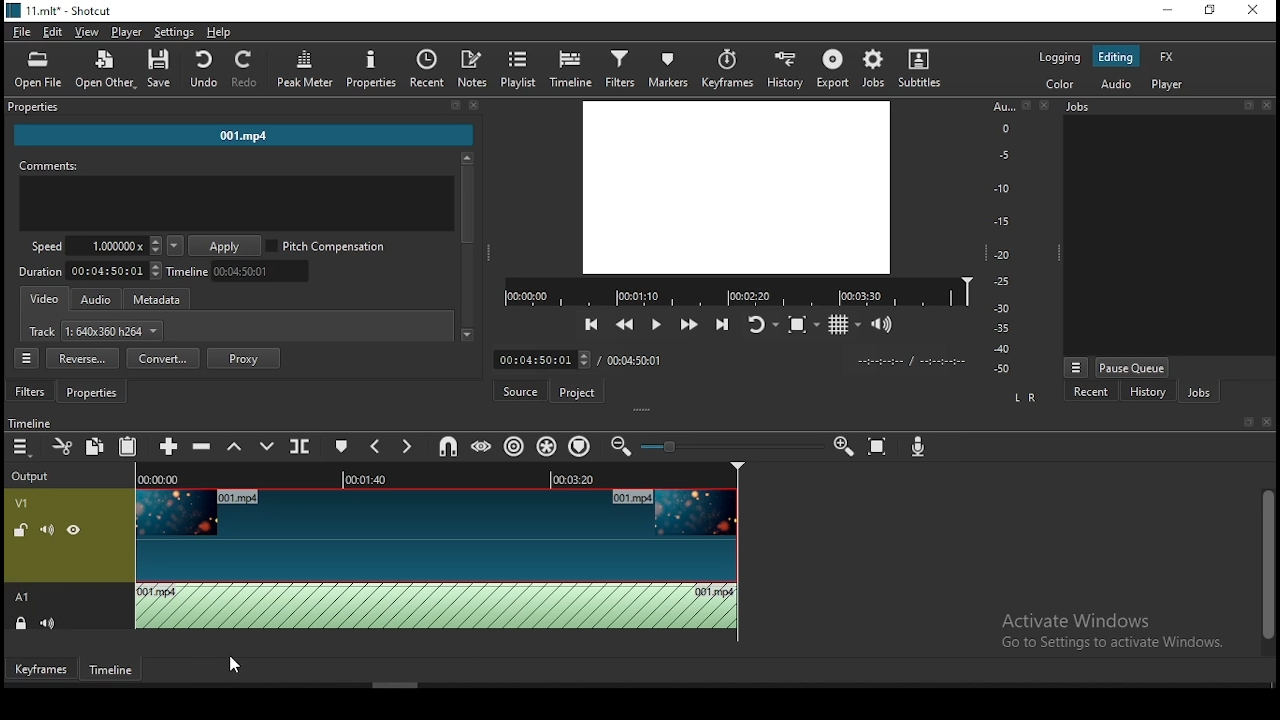 Image resolution: width=1280 pixels, height=720 pixels. What do you see at coordinates (1114, 84) in the screenshot?
I see `audio` at bounding box center [1114, 84].